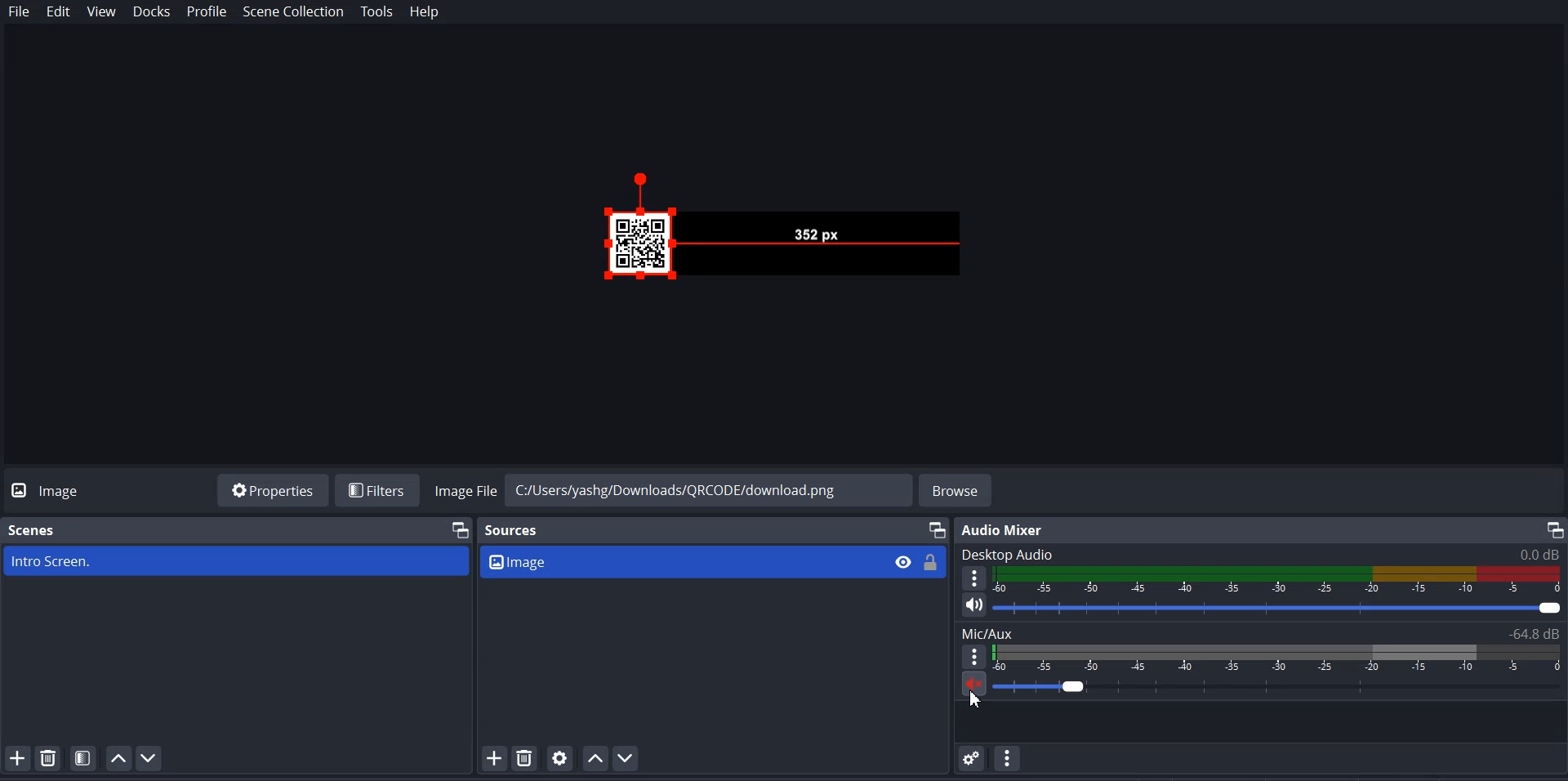  Describe the element at coordinates (292, 11) in the screenshot. I see `Scene Collection` at that location.